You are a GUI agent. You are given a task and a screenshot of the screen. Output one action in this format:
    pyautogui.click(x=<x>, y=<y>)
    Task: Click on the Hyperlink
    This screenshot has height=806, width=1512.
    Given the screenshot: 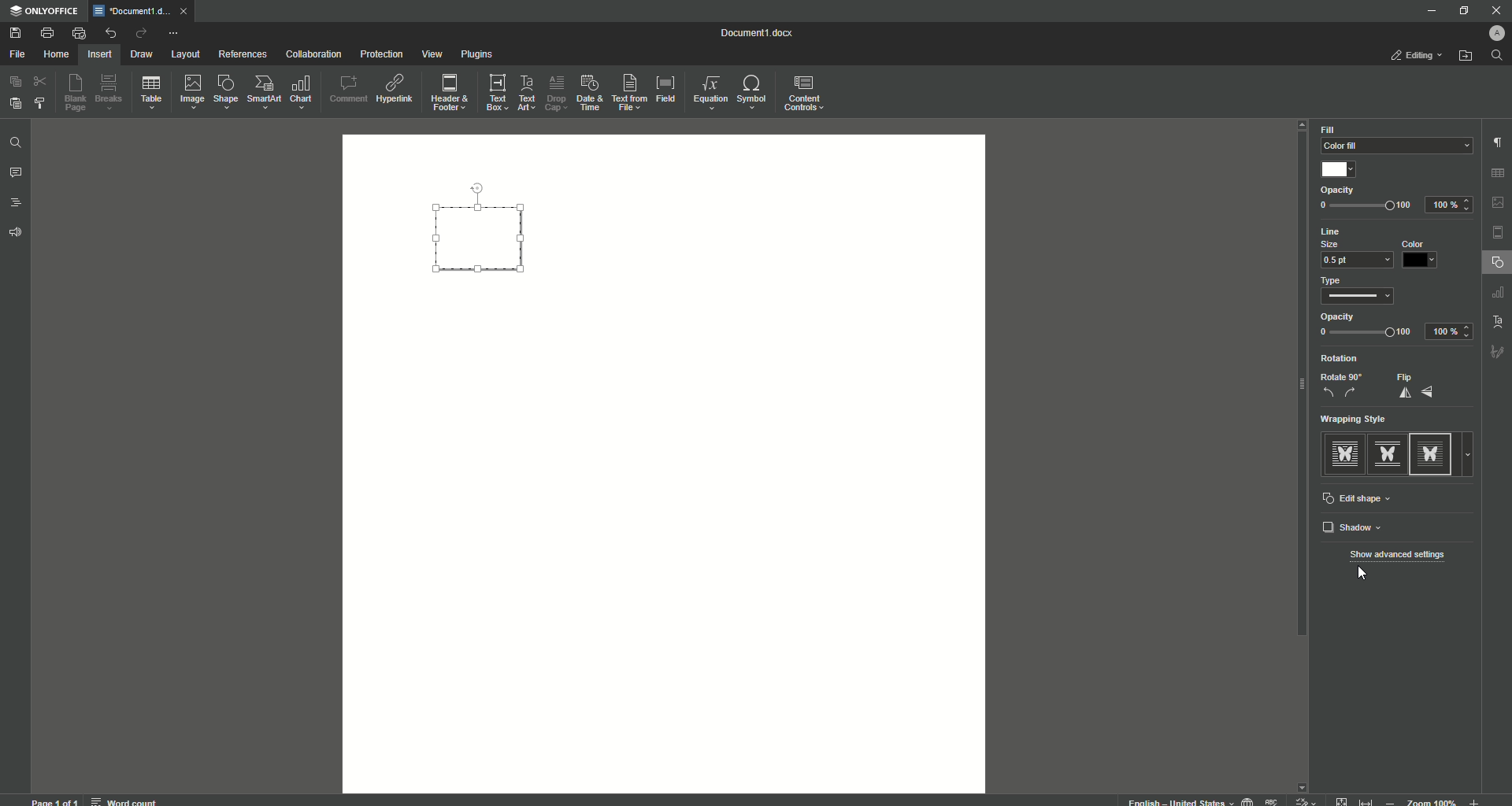 What is the action you would take?
    pyautogui.click(x=396, y=89)
    